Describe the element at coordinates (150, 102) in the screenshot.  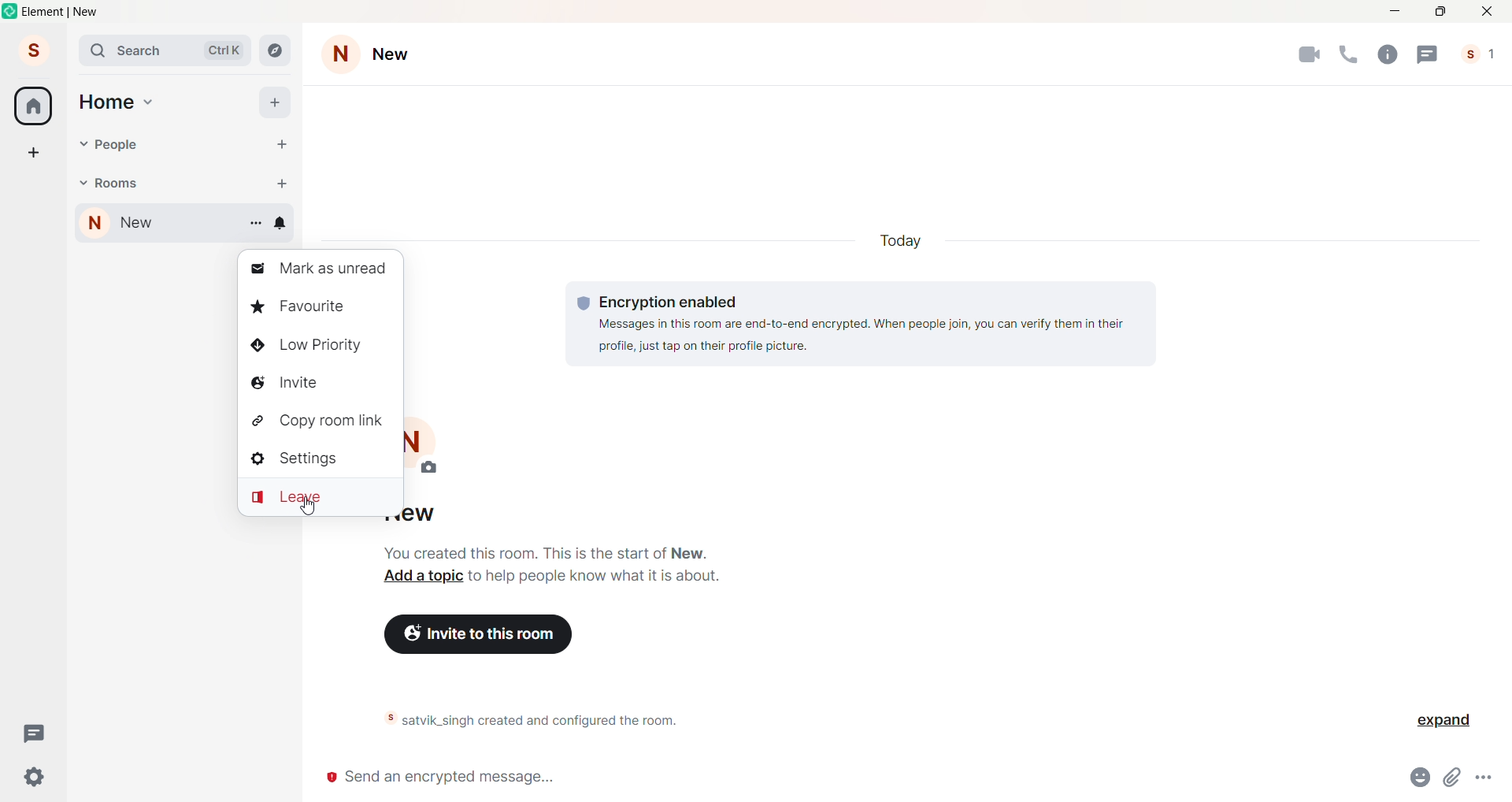
I see `Home Drop Down` at that location.